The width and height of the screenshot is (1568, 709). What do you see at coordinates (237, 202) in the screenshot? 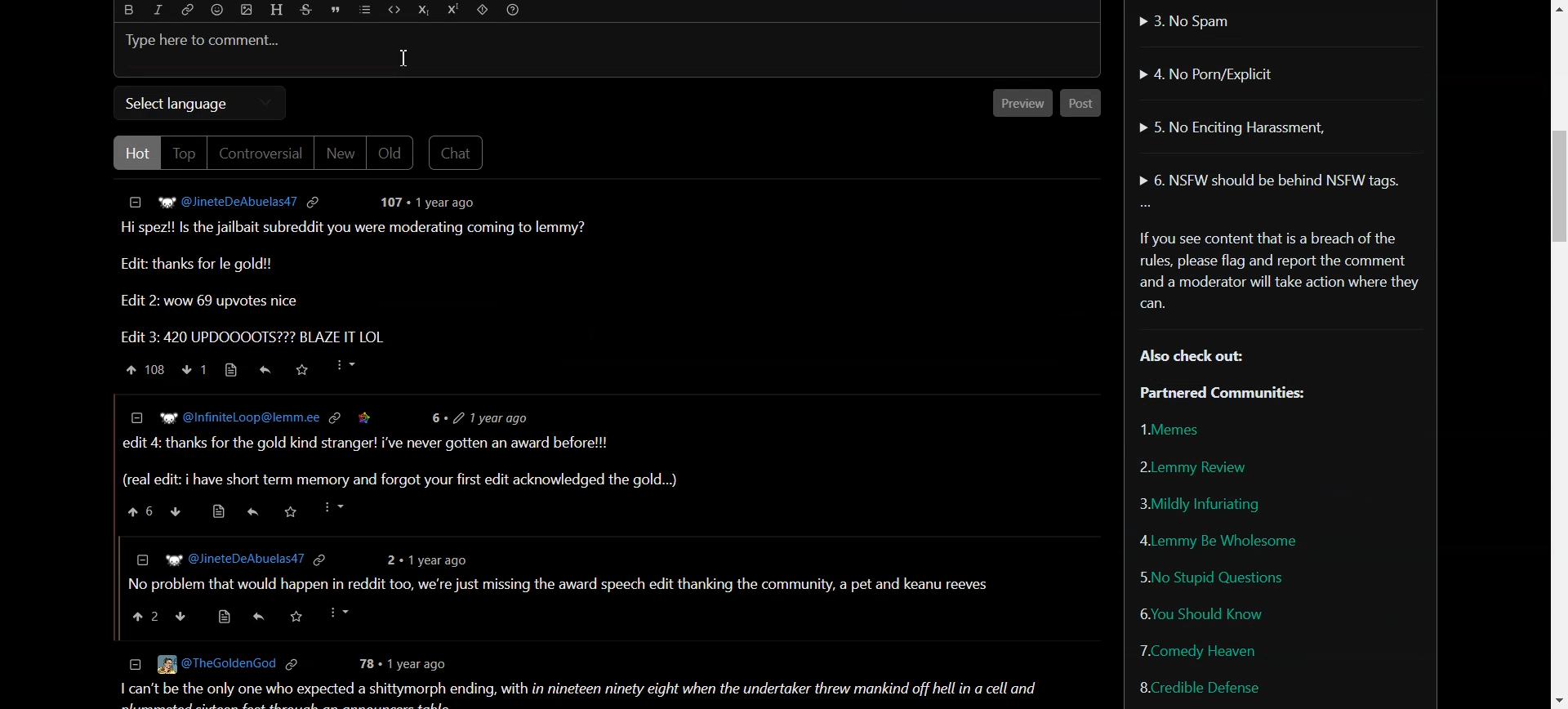
I see `Hyperlink` at bounding box center [237, 202].